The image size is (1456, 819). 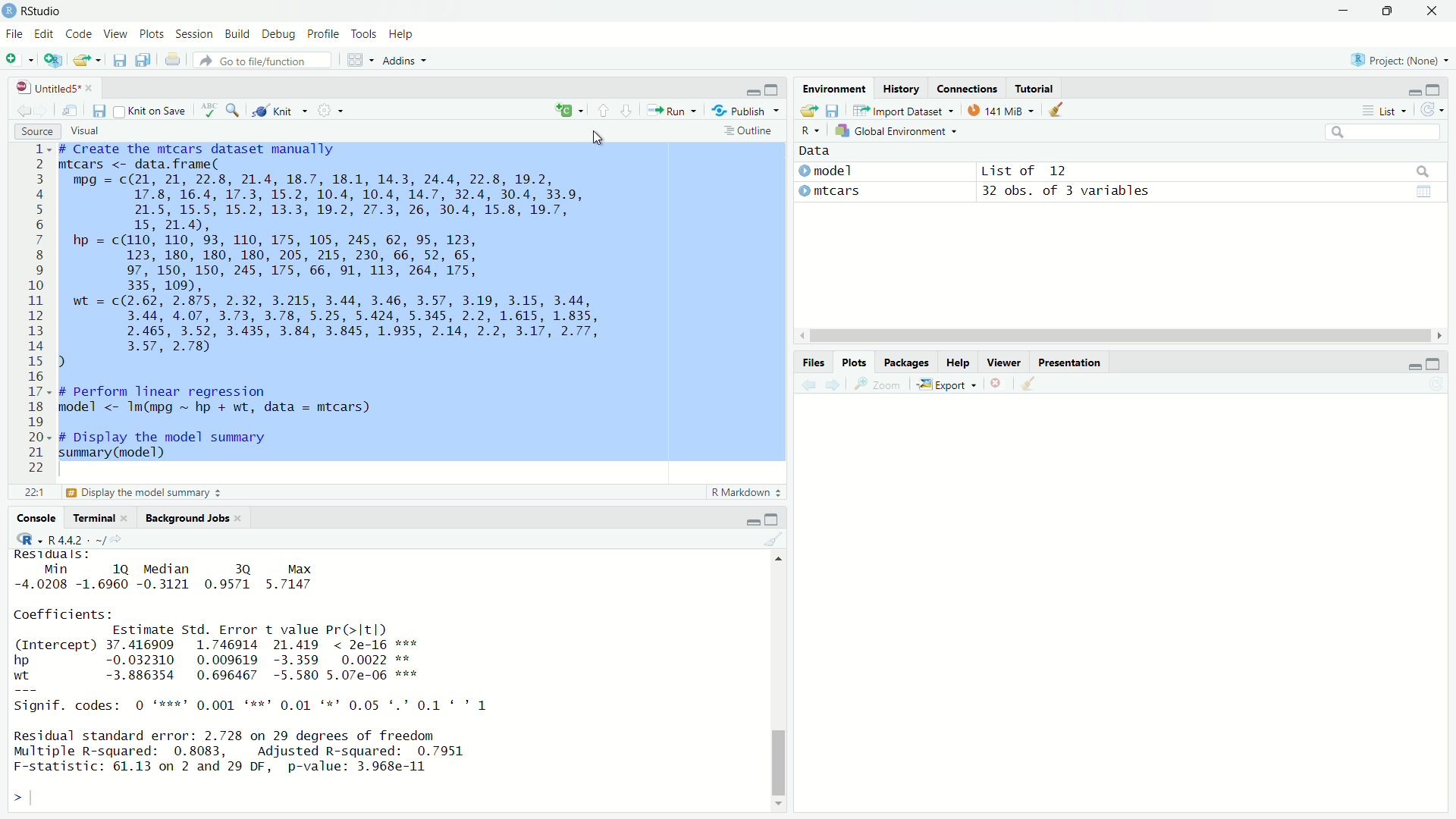 What do you see at coordinates (94, 88) in the screenshot?
I see `close` at bounding box center [94, 88].